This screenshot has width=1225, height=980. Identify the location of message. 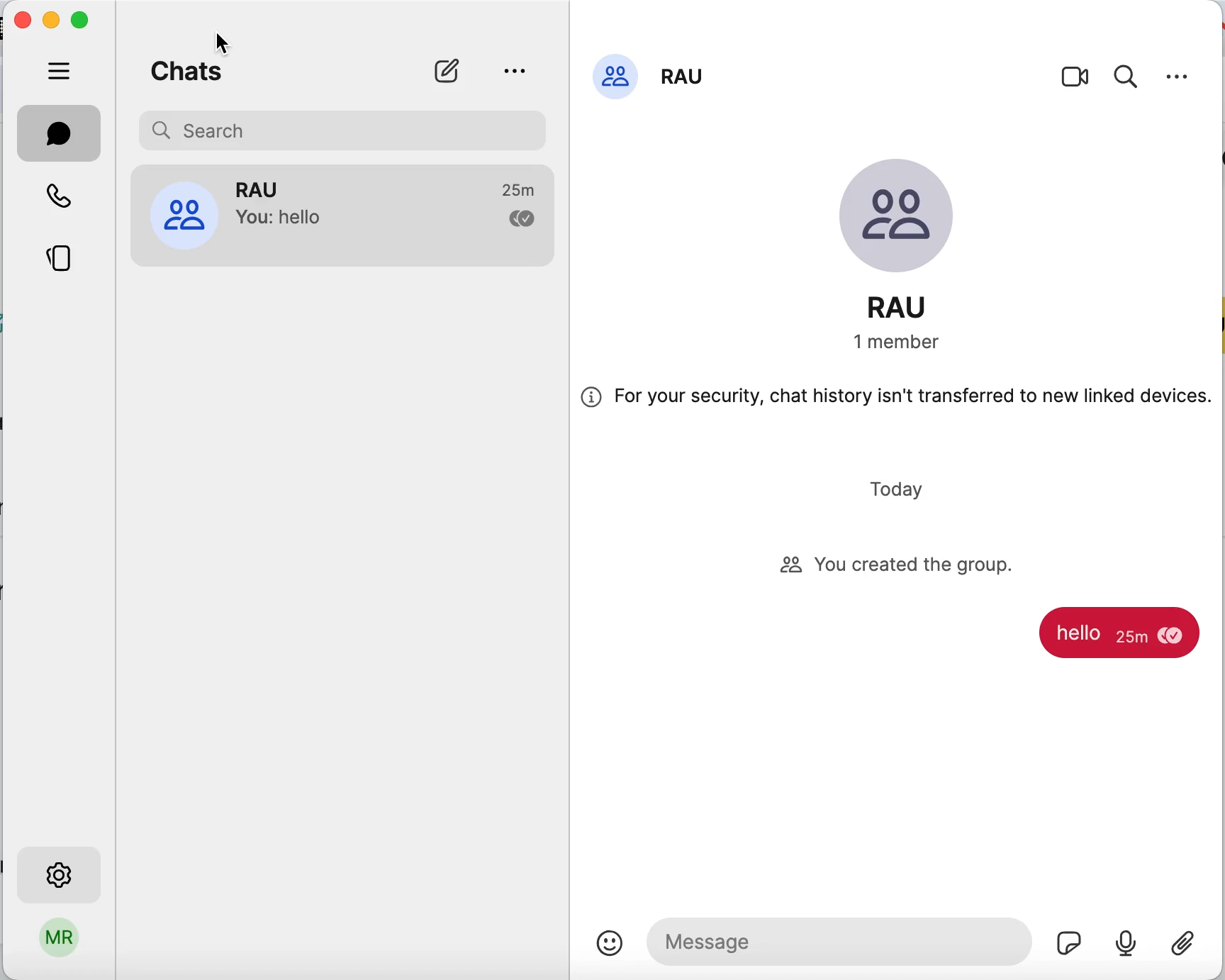
(1117, 635).